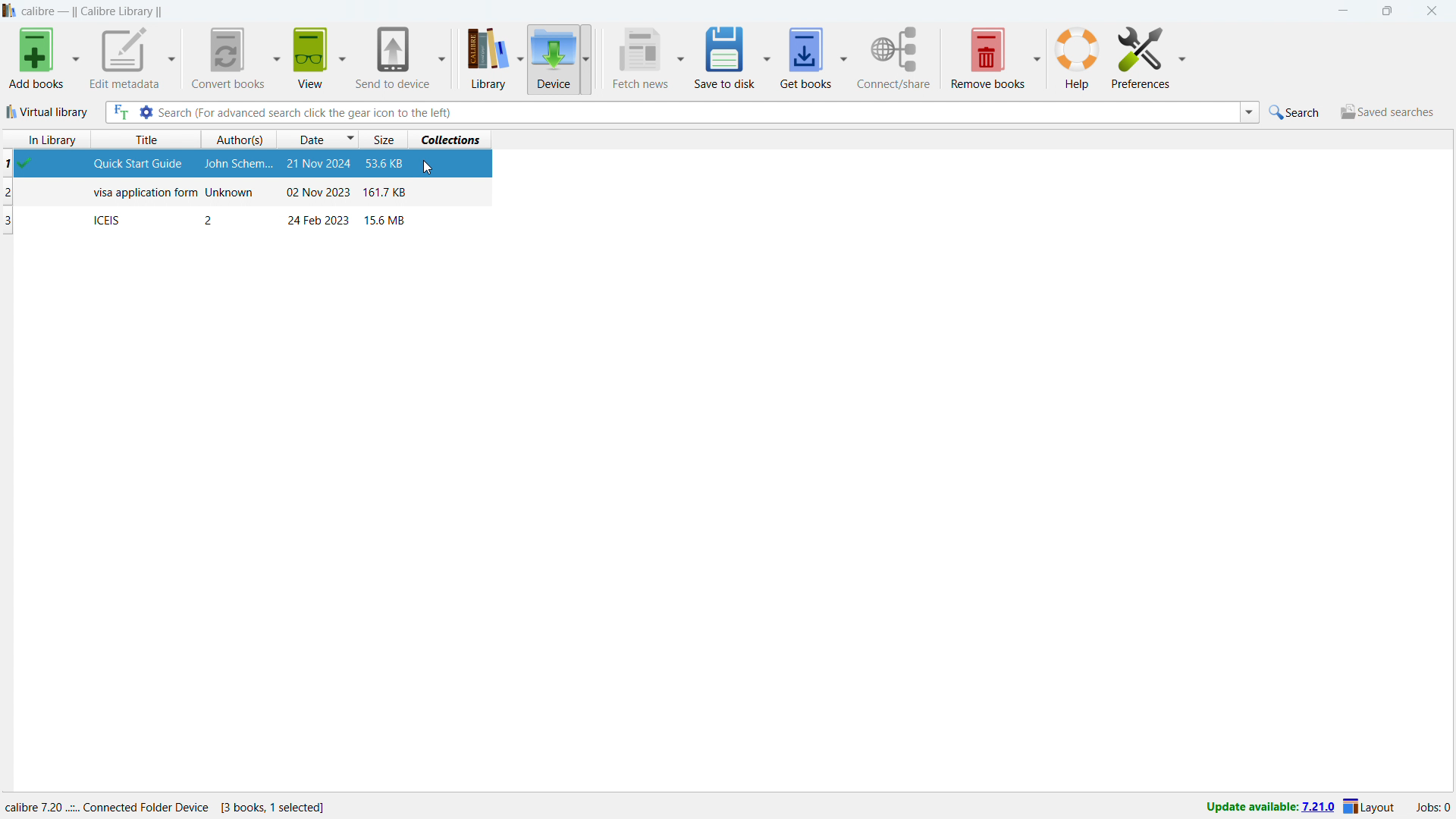 The width and height of the screenshot is (1456, 819). I want to click on preferences options, so click(1181, 55).